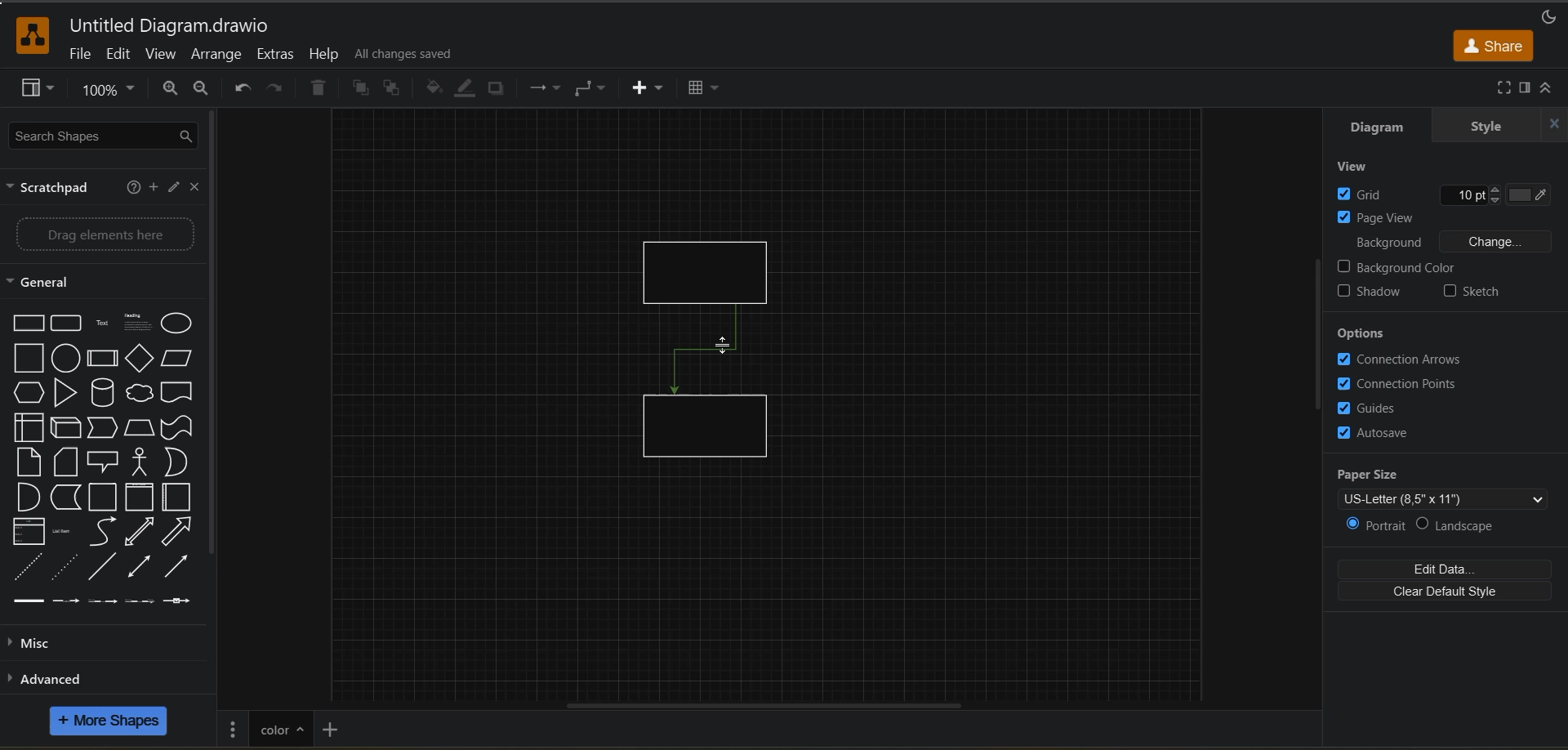  What do you see at coordinates (468, 88) in the screenshot?
I see `line color` at bounding box center [468, 88].